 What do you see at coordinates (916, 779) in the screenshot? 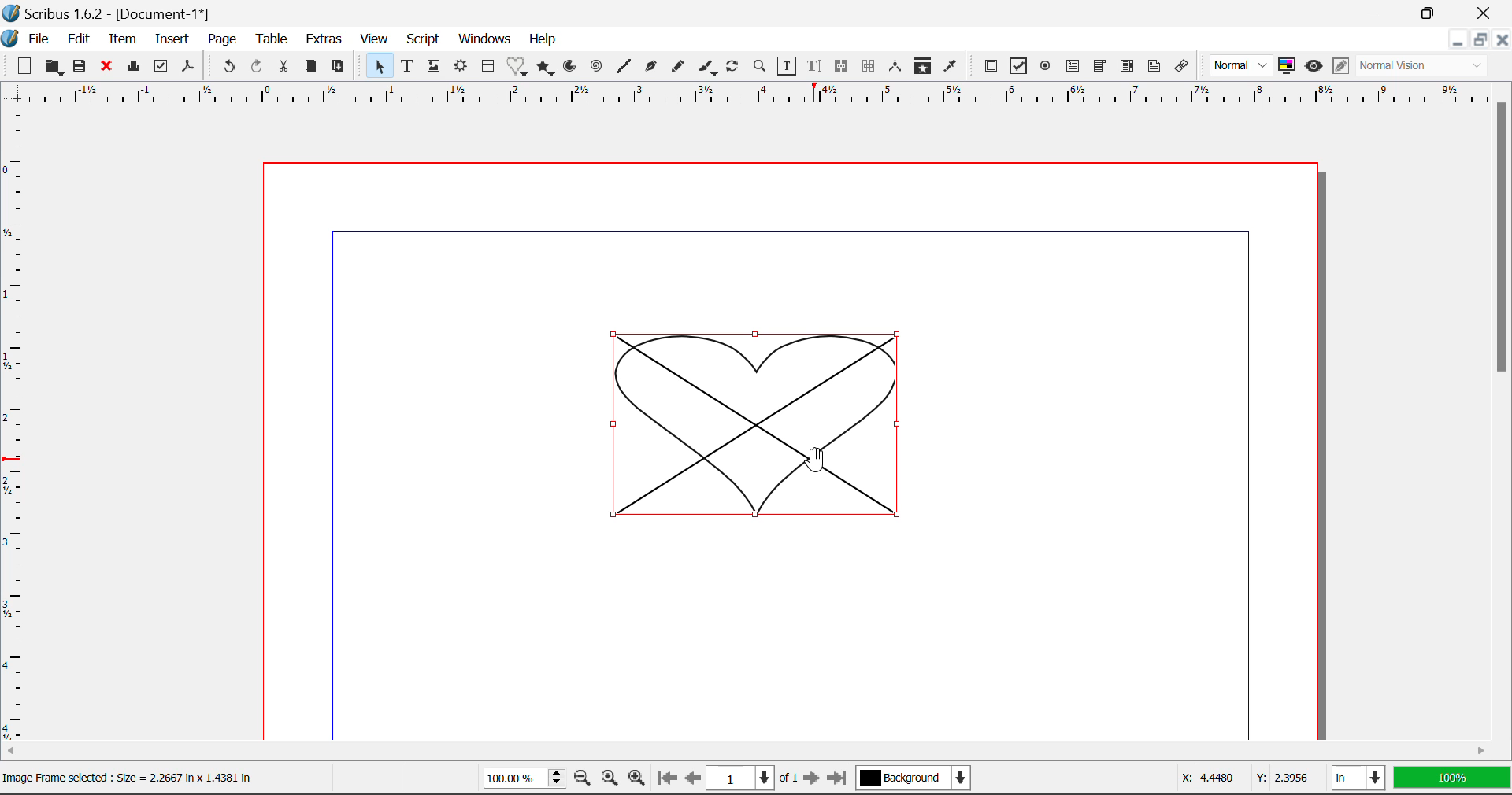
I see `Background` at bounding box center [916, 779].